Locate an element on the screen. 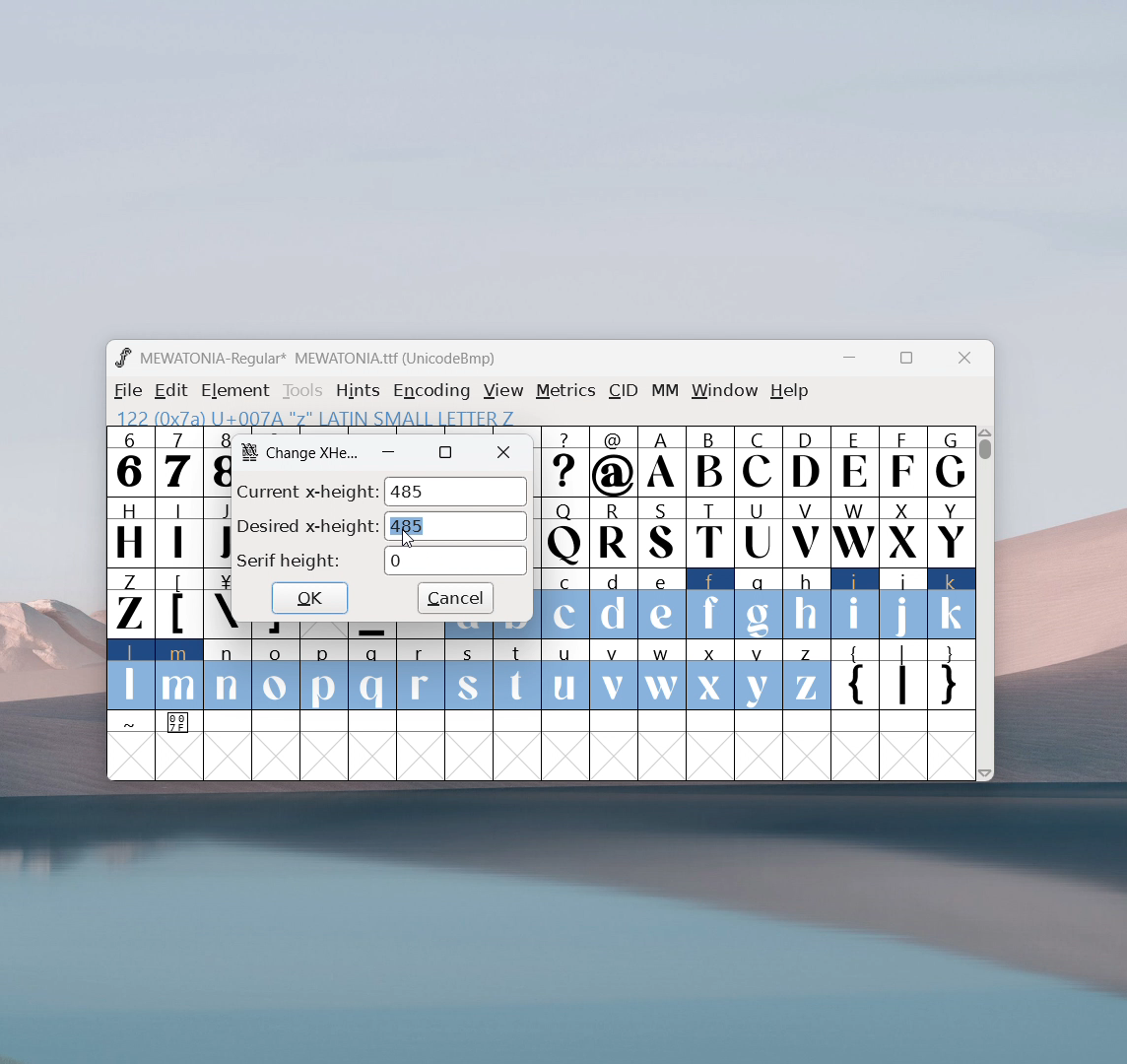  edit is located at coordinates (172, 391).